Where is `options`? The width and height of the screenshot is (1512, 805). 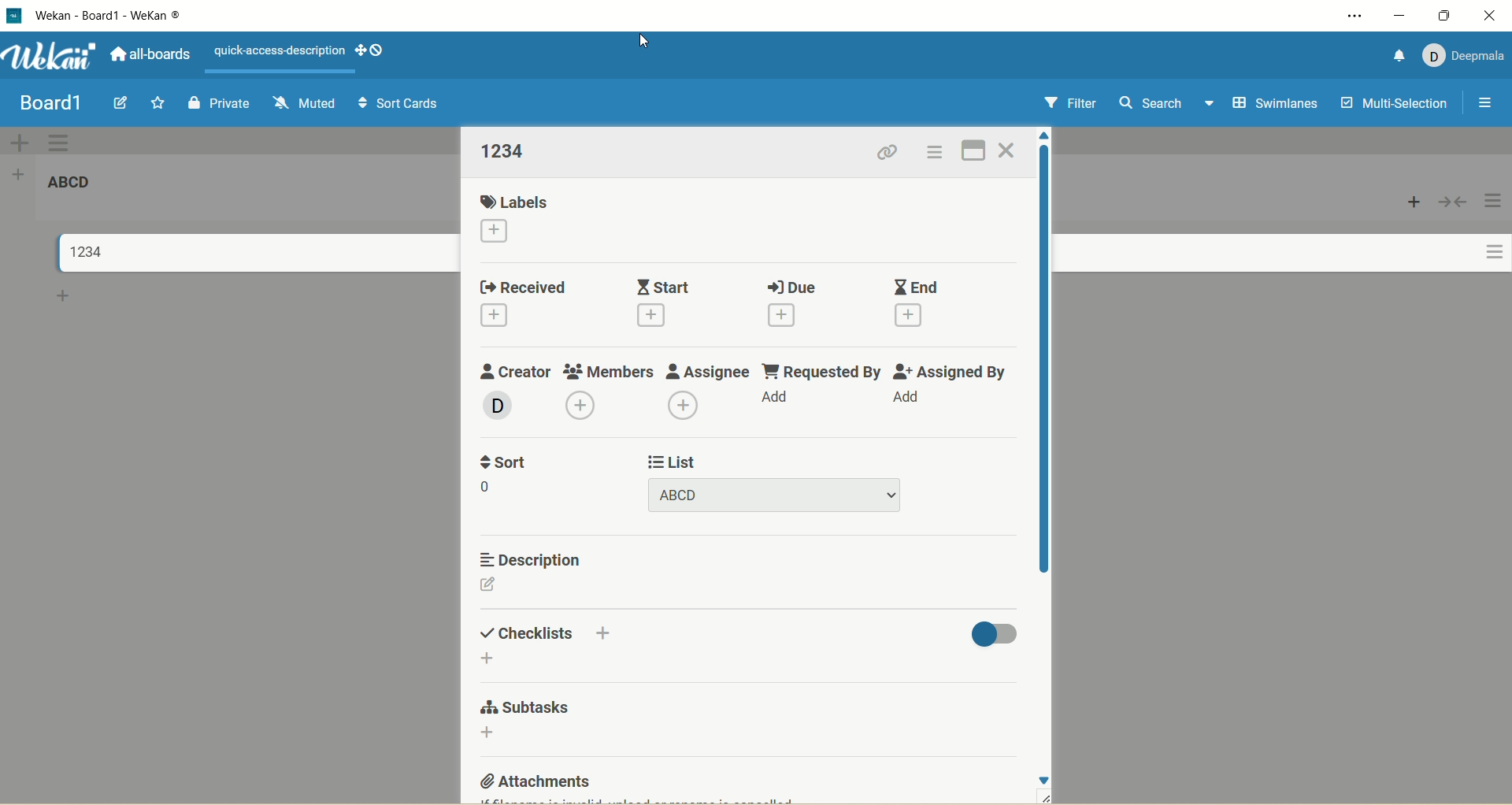
options is located at coordinates (937, 152).